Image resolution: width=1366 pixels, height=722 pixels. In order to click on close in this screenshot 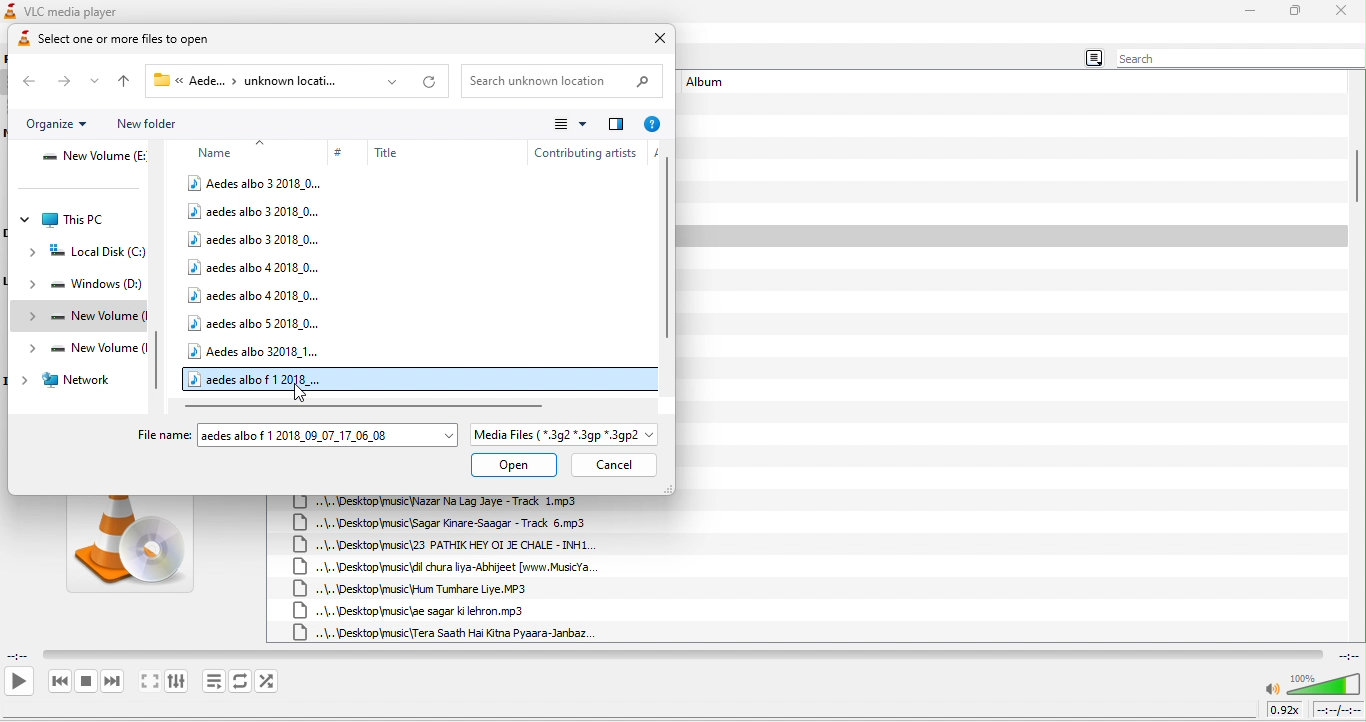, I will do `click(1342, 11)`.